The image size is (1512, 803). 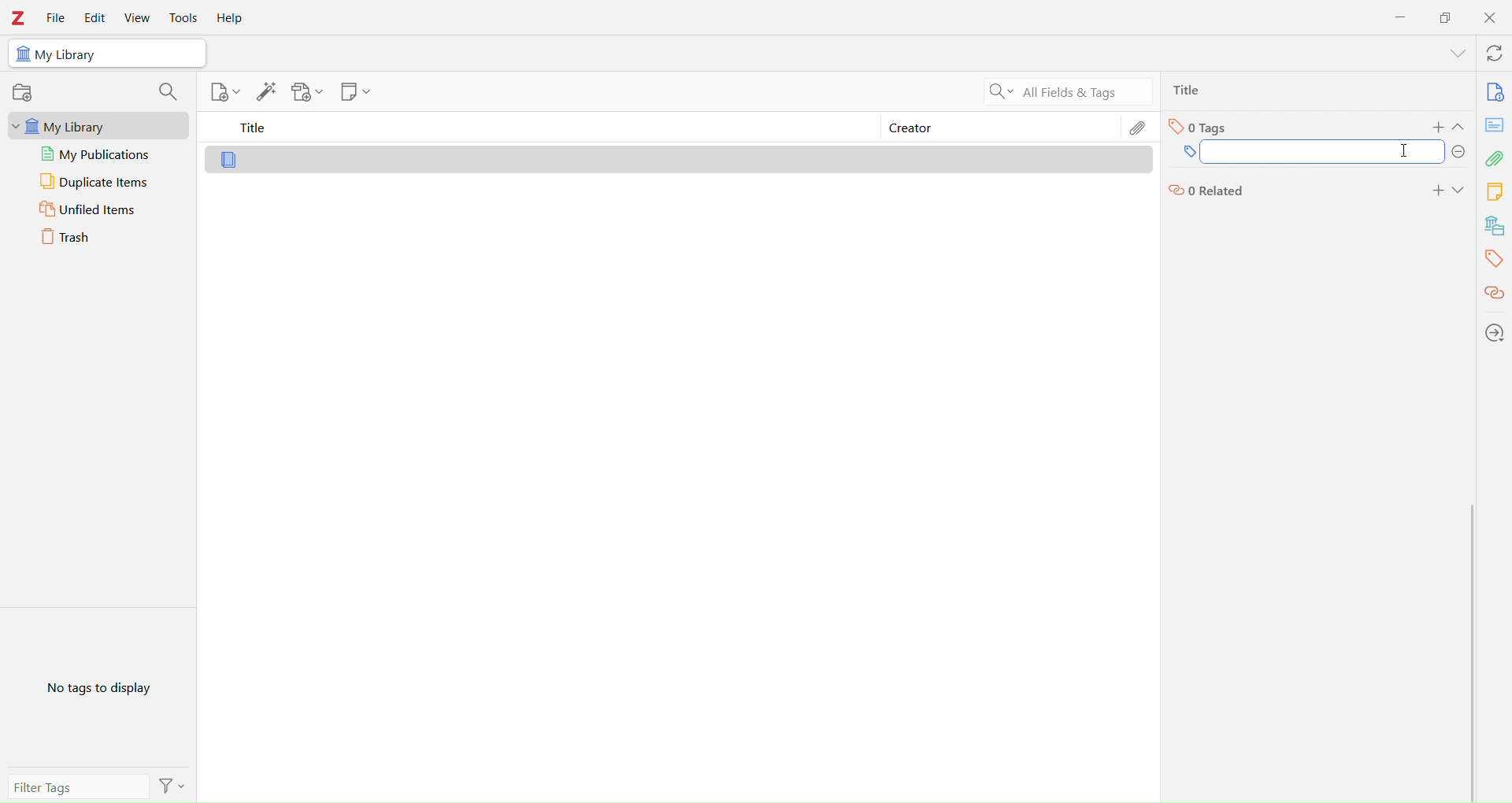 I want to click on record, so click(x=22, y=94).